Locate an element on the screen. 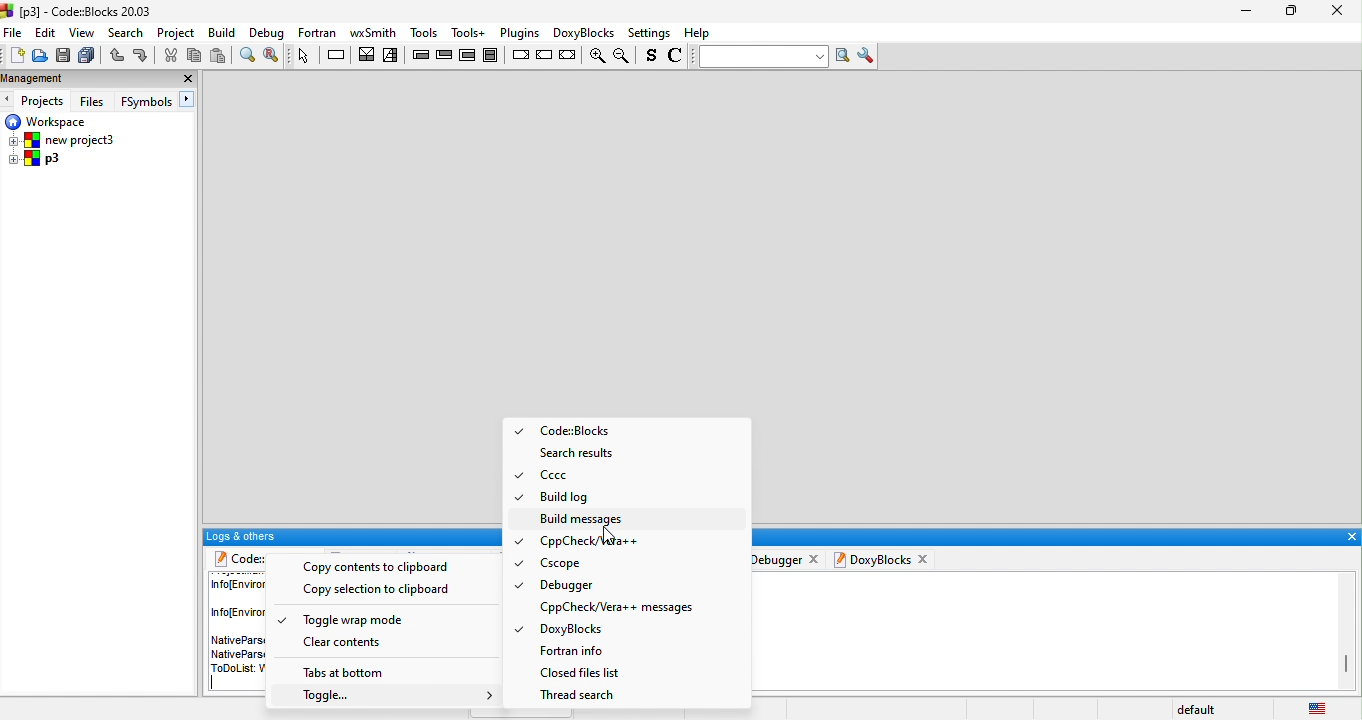 This screenshot has height=720, width=1362. Cppcheck/Vera++ messages is located at coordinates (623, 607).